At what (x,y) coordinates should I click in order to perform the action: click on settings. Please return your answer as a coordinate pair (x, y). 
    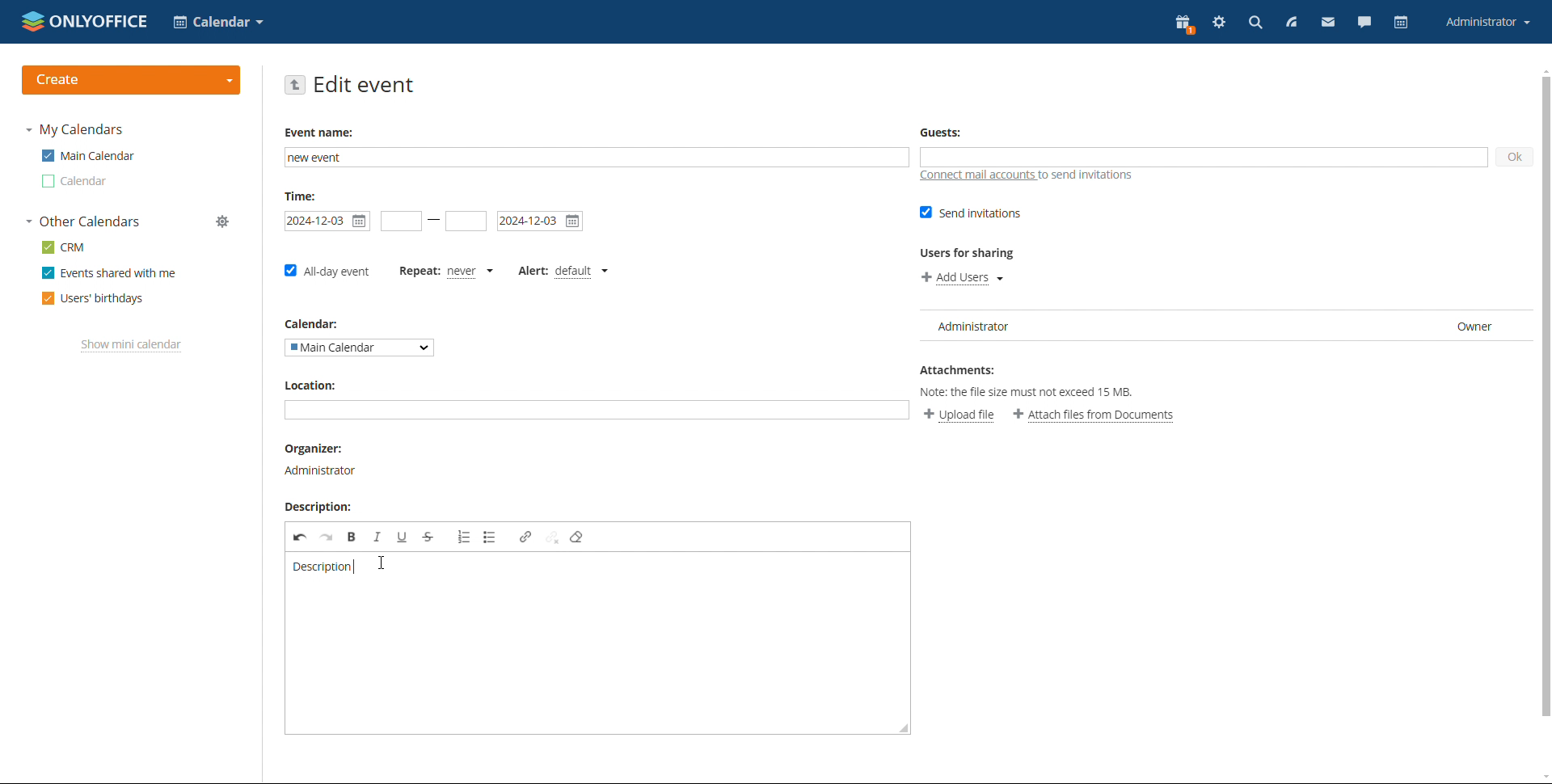
    Looking at the image, I should click on (1219, 23).